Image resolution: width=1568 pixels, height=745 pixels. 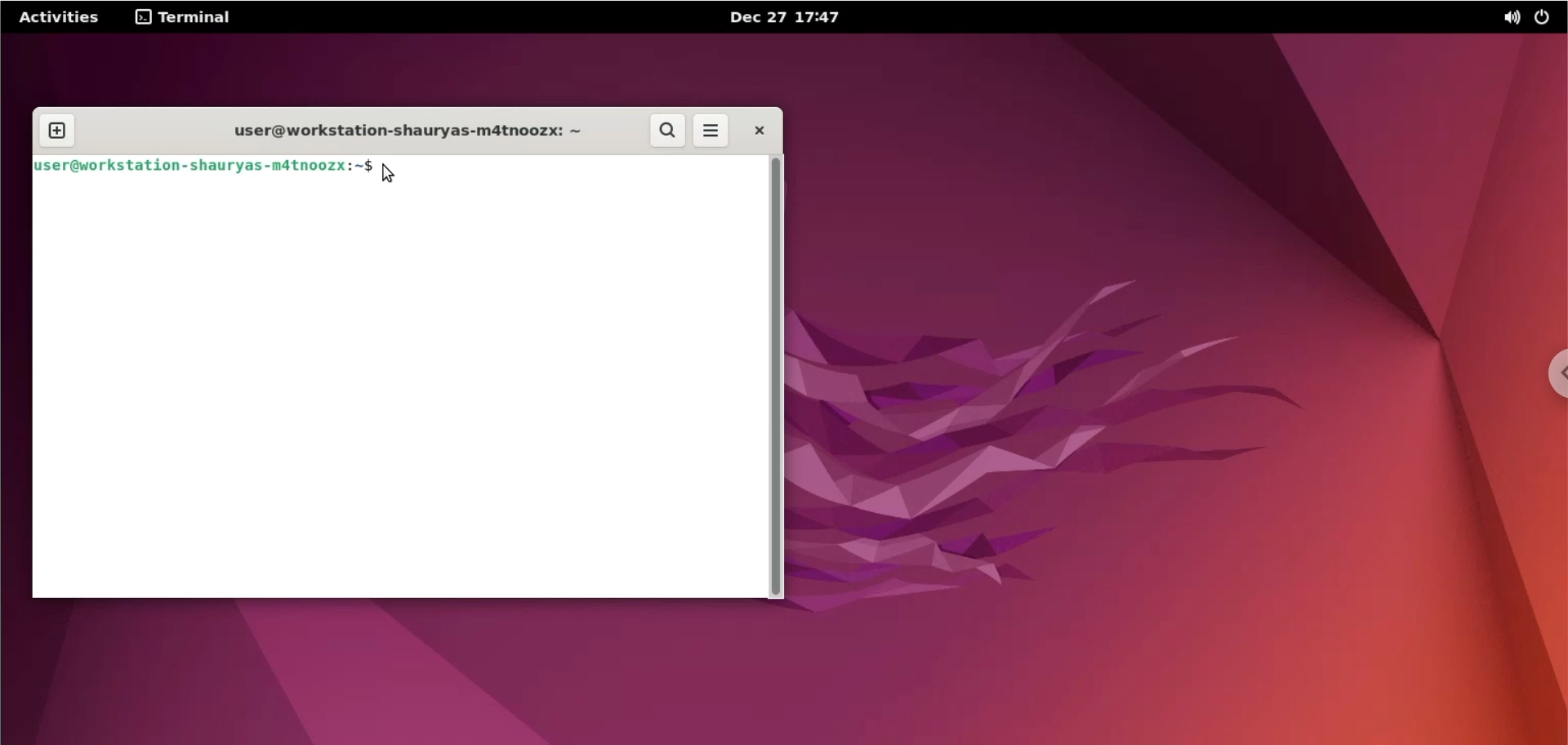 I want to click on new tab, so click(x=56, y=131).